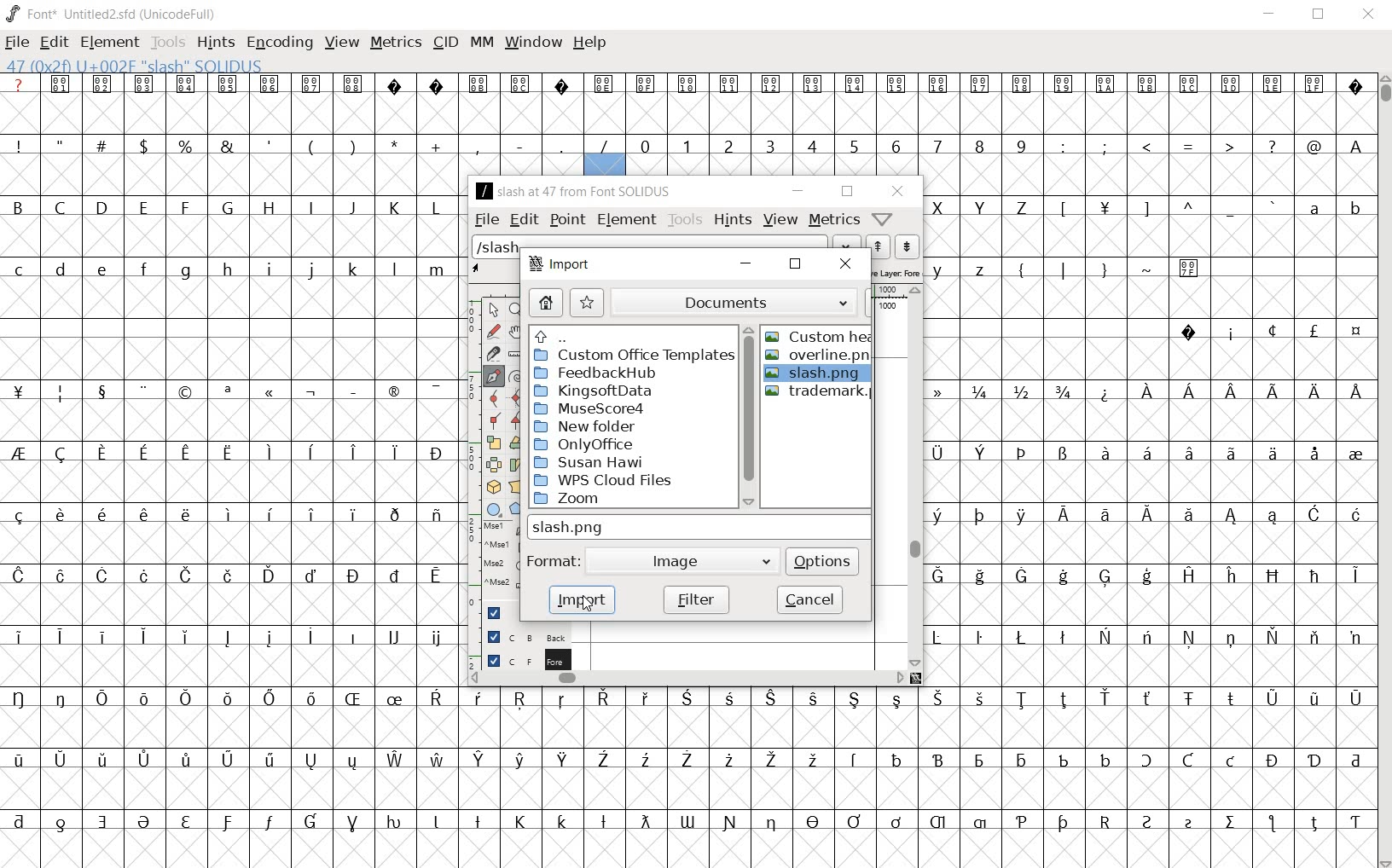  I want to click on scrollbar, so click(747, 417).